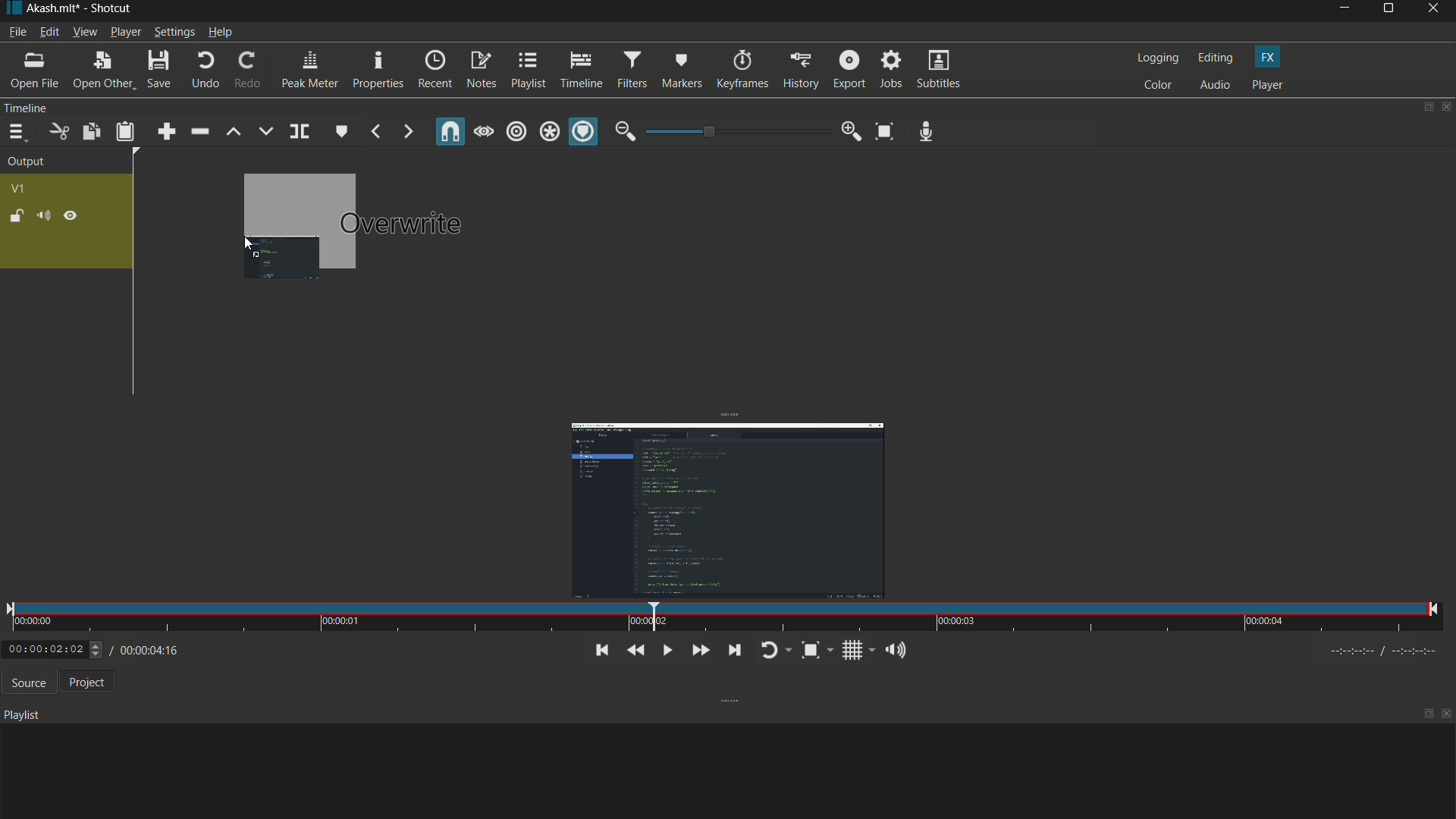  I want to click on close, so click(1447, 716).